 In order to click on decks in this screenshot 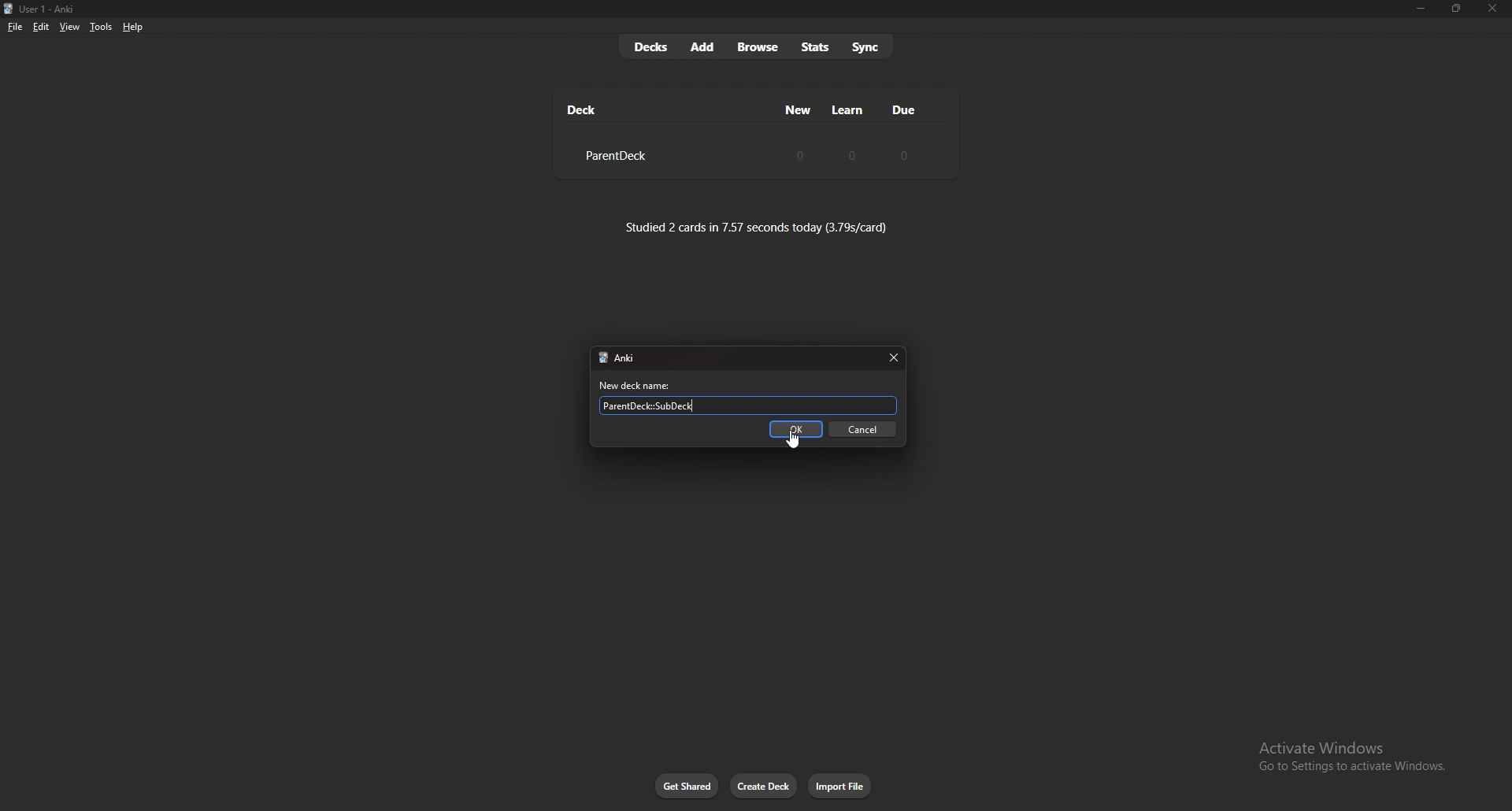, I will do `click(650, 47)`.